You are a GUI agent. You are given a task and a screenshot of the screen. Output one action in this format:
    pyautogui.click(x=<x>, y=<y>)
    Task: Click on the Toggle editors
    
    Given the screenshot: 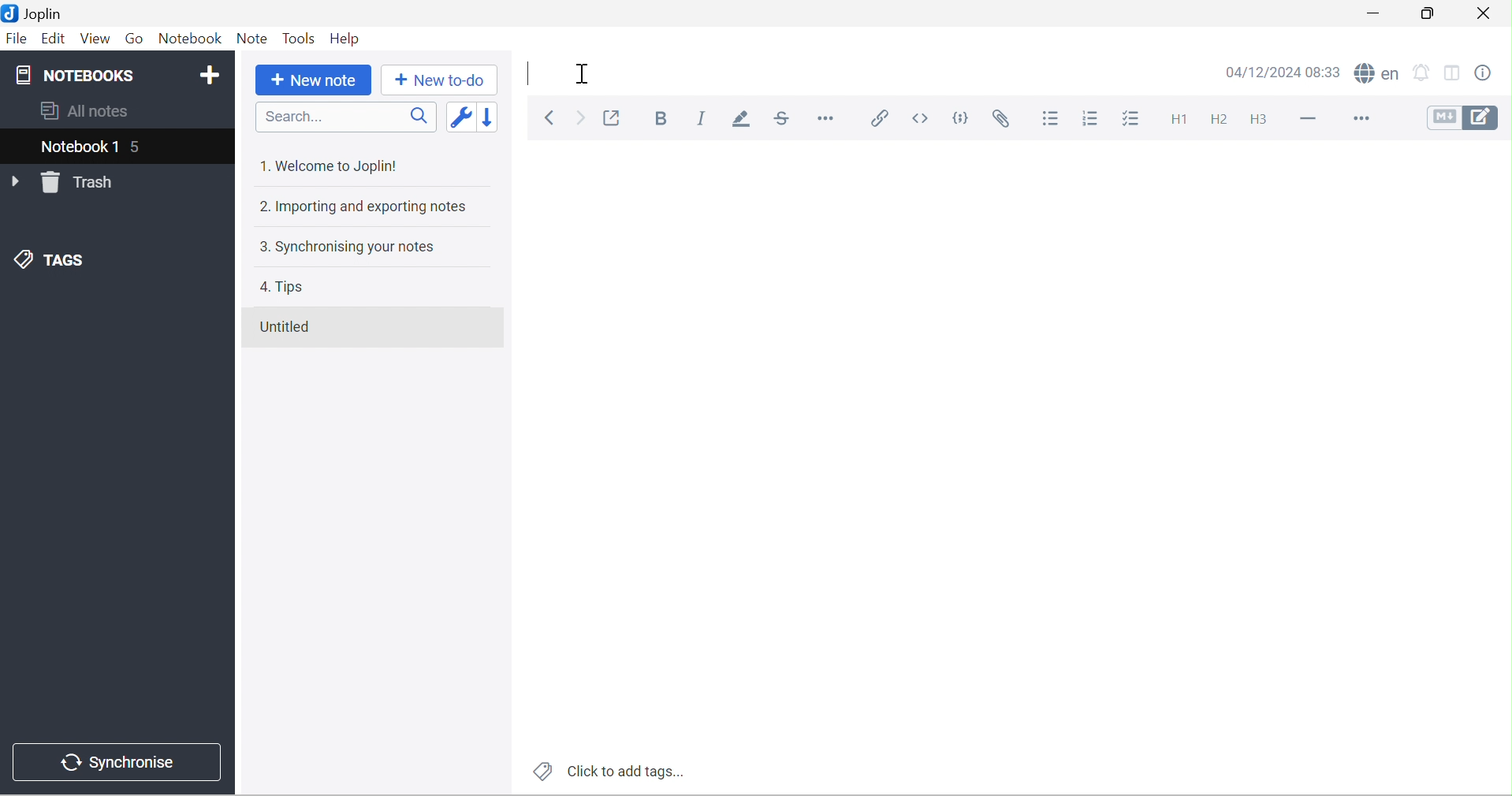 What is the action you would take?
    pyautogui.click(x=1462, y=117)
    